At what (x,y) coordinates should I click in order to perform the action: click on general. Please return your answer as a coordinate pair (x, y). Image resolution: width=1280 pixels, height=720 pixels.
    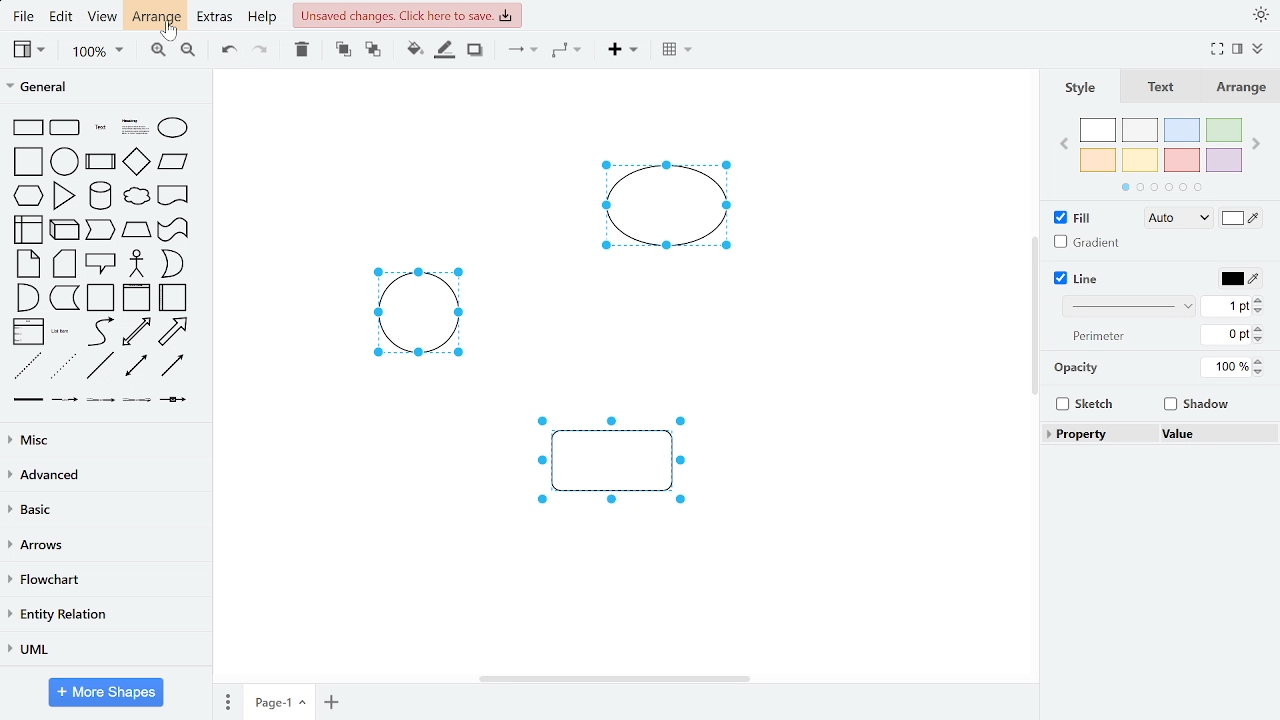
    Looking at the image, I should click on (102, 88).